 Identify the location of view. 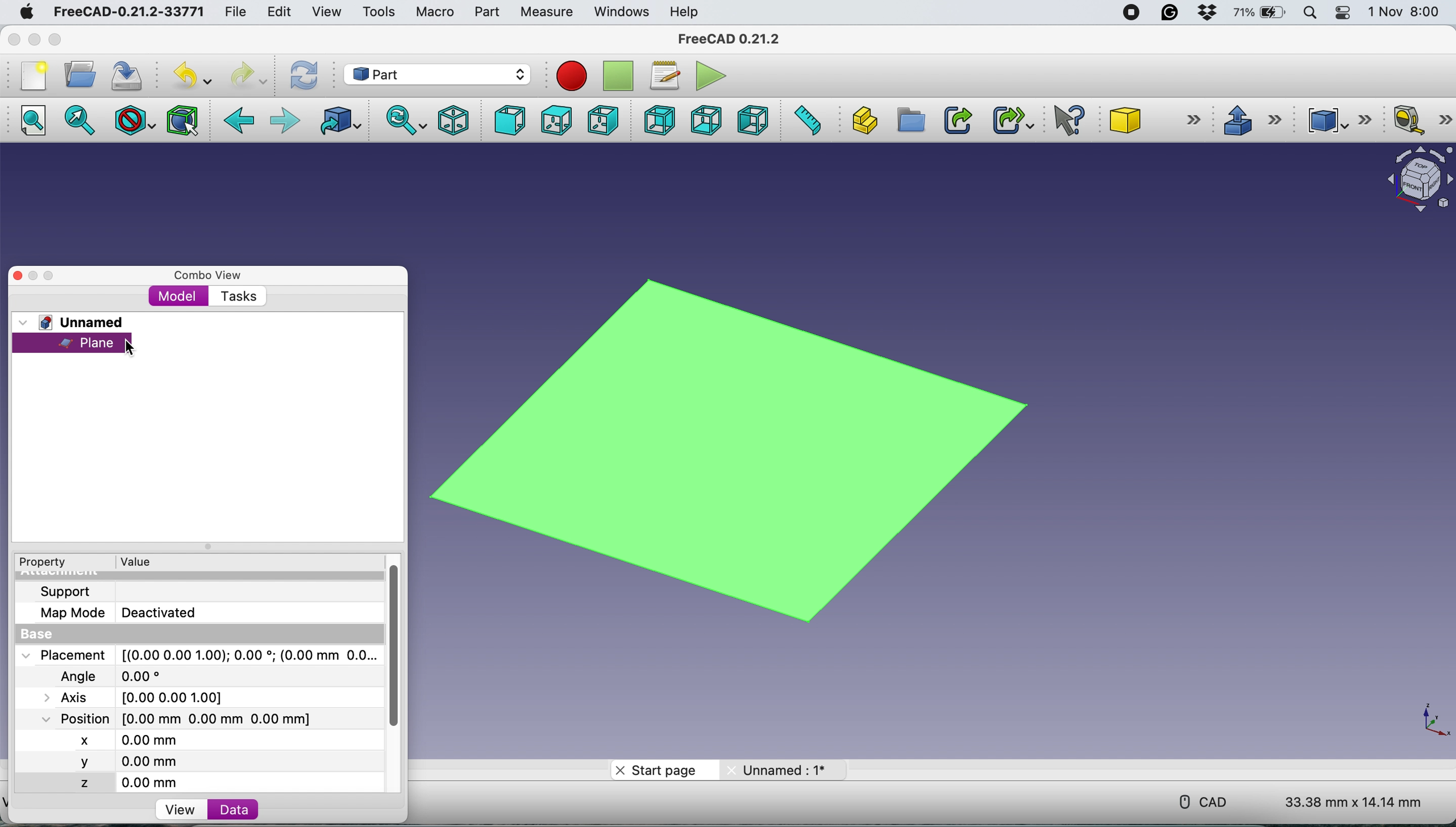
(176, 811).